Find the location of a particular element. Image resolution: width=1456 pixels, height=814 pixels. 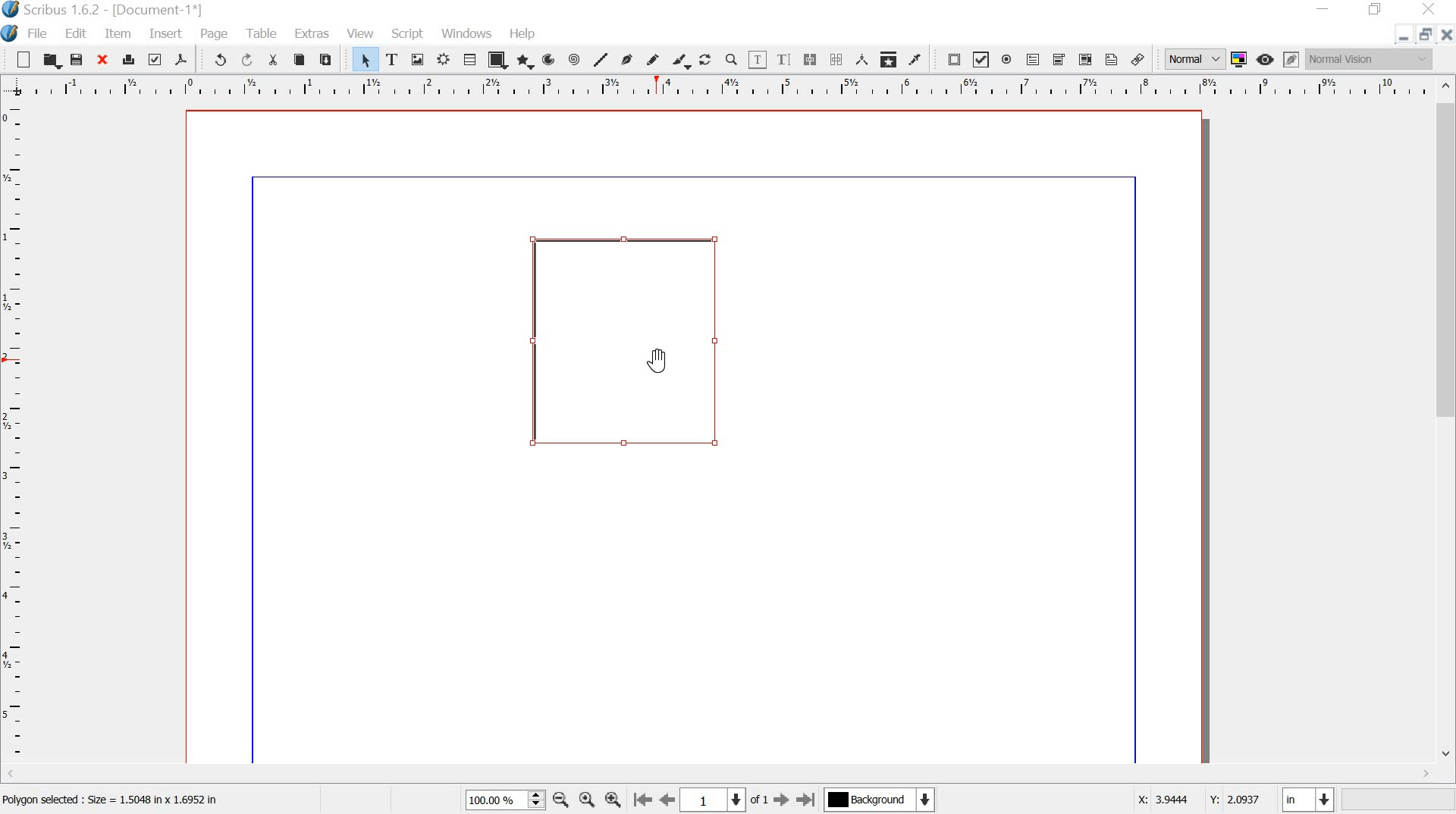

polygon is located at coordinates (526, 61).